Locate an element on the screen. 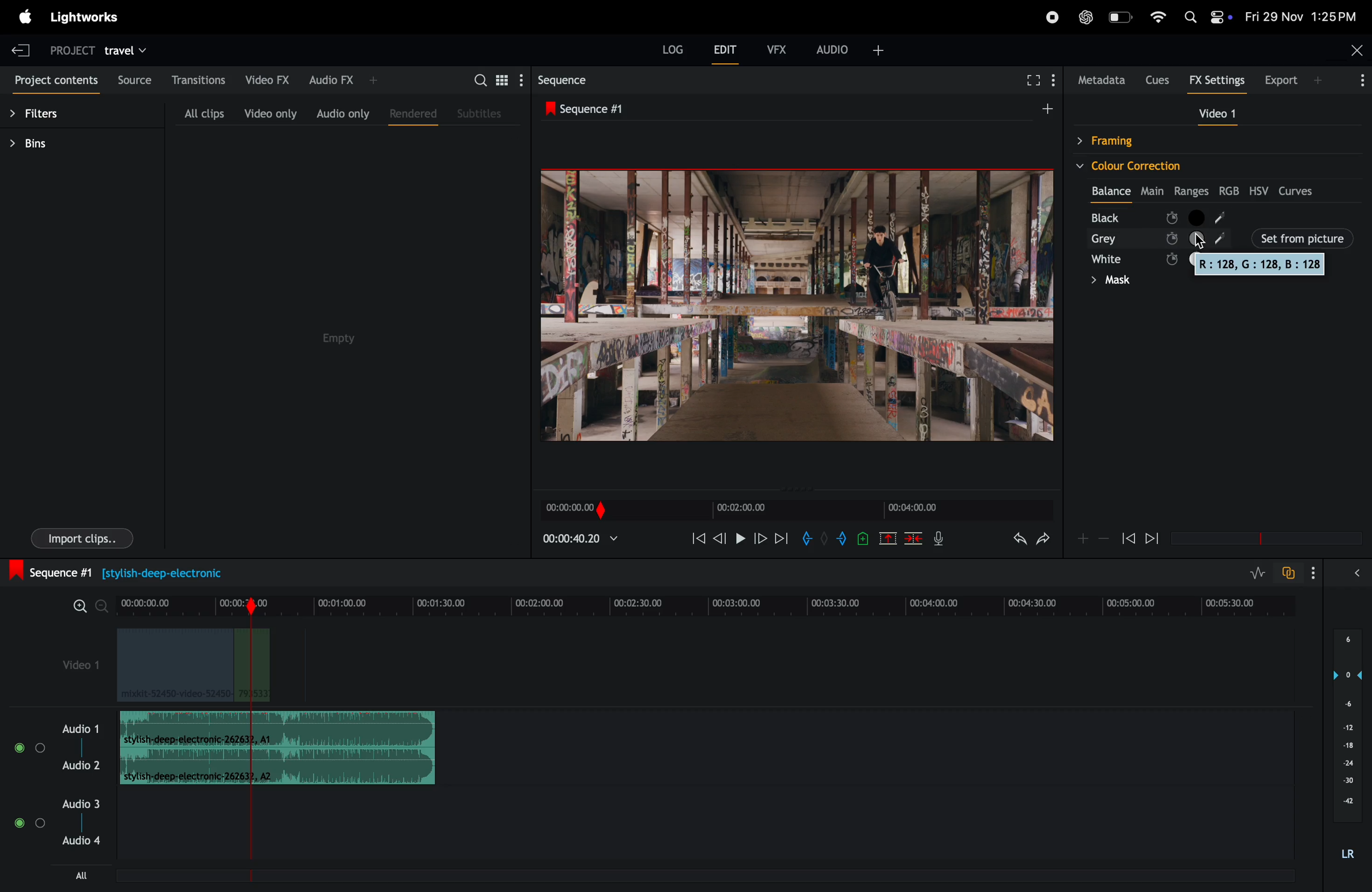  rgb is located at coordinates (1231, 191).